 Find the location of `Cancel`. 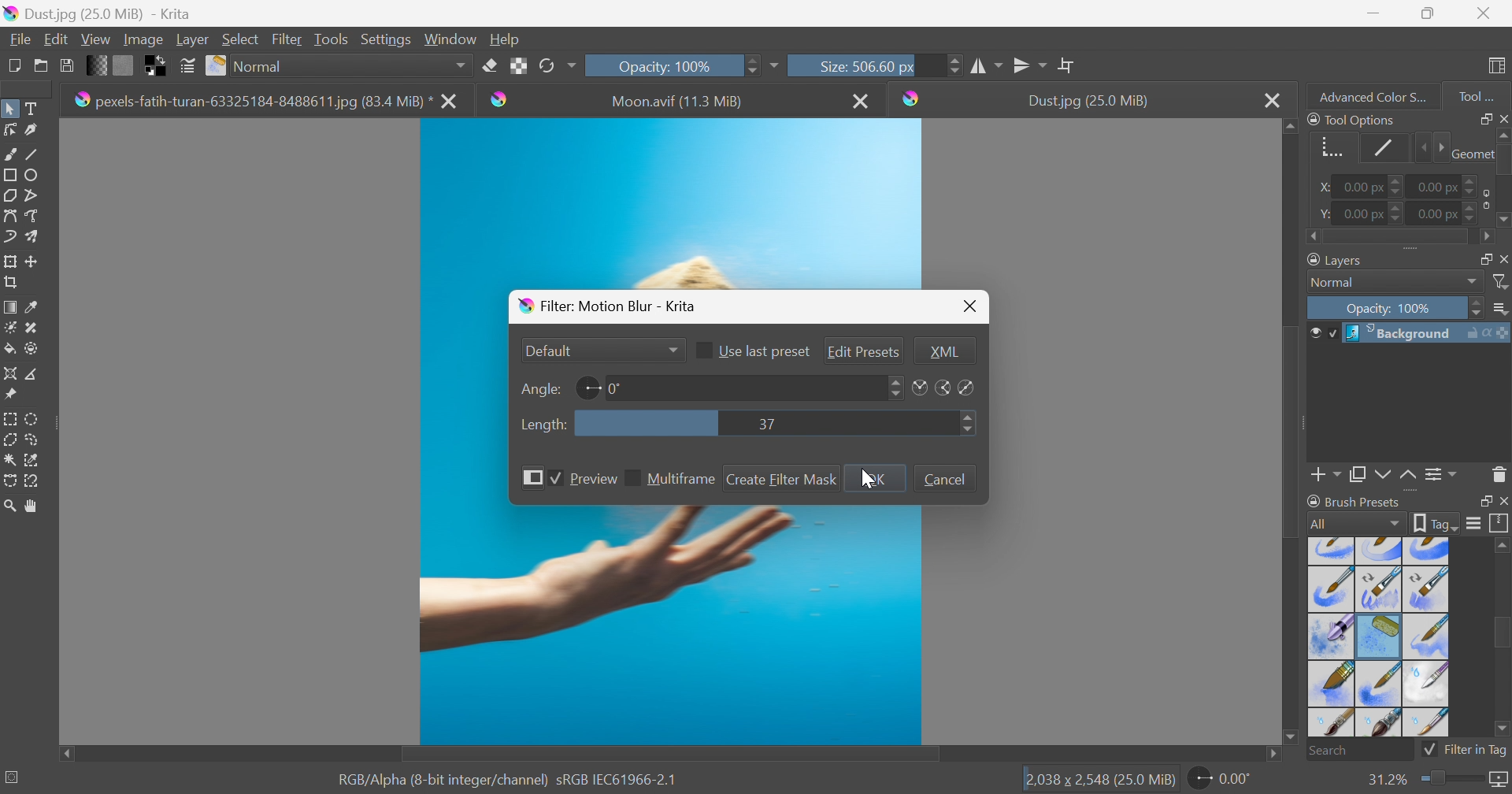

Cancel is located at coordinates (944, 478).